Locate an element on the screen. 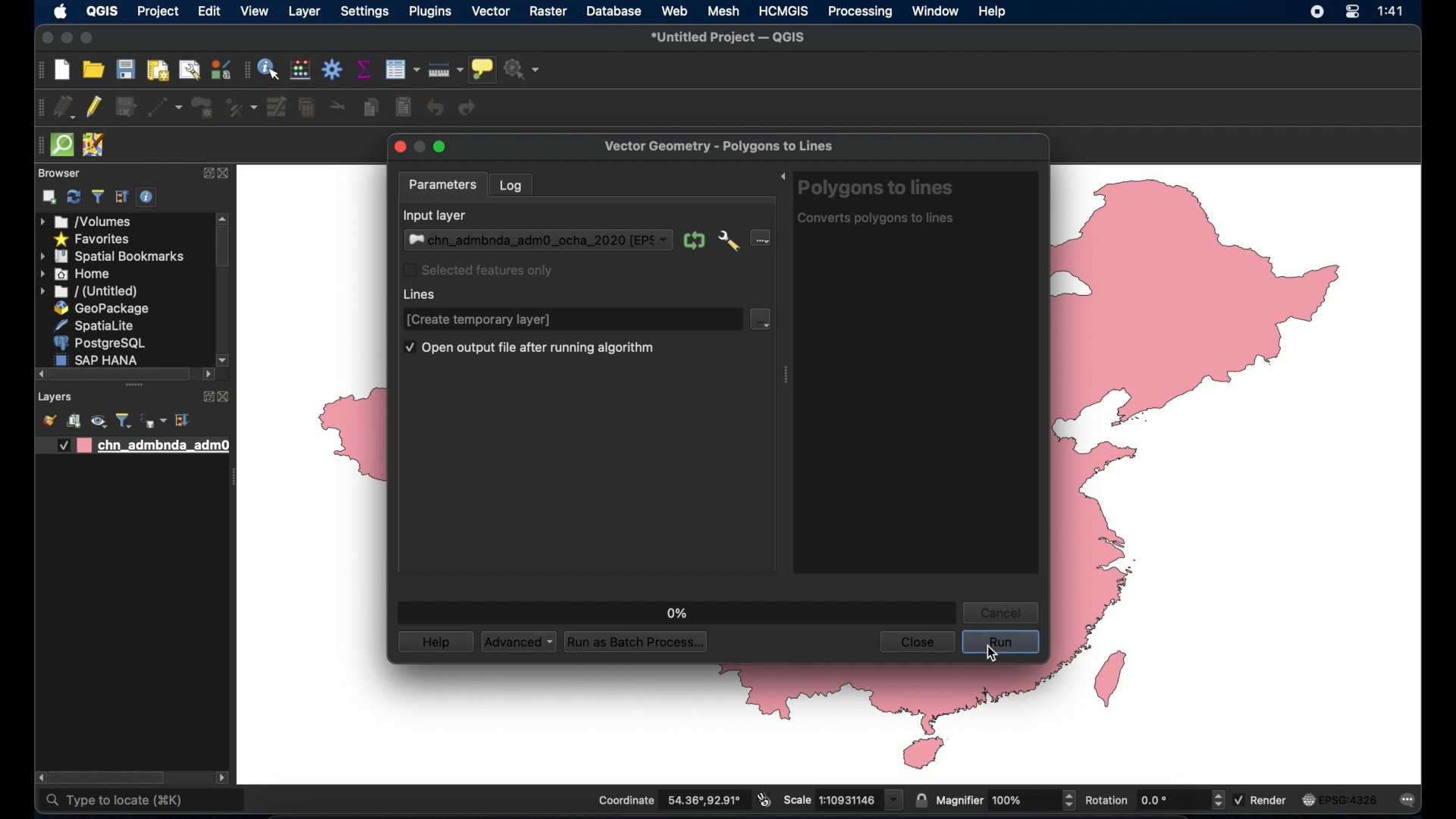  processing  is located at coordinates (861, 12).